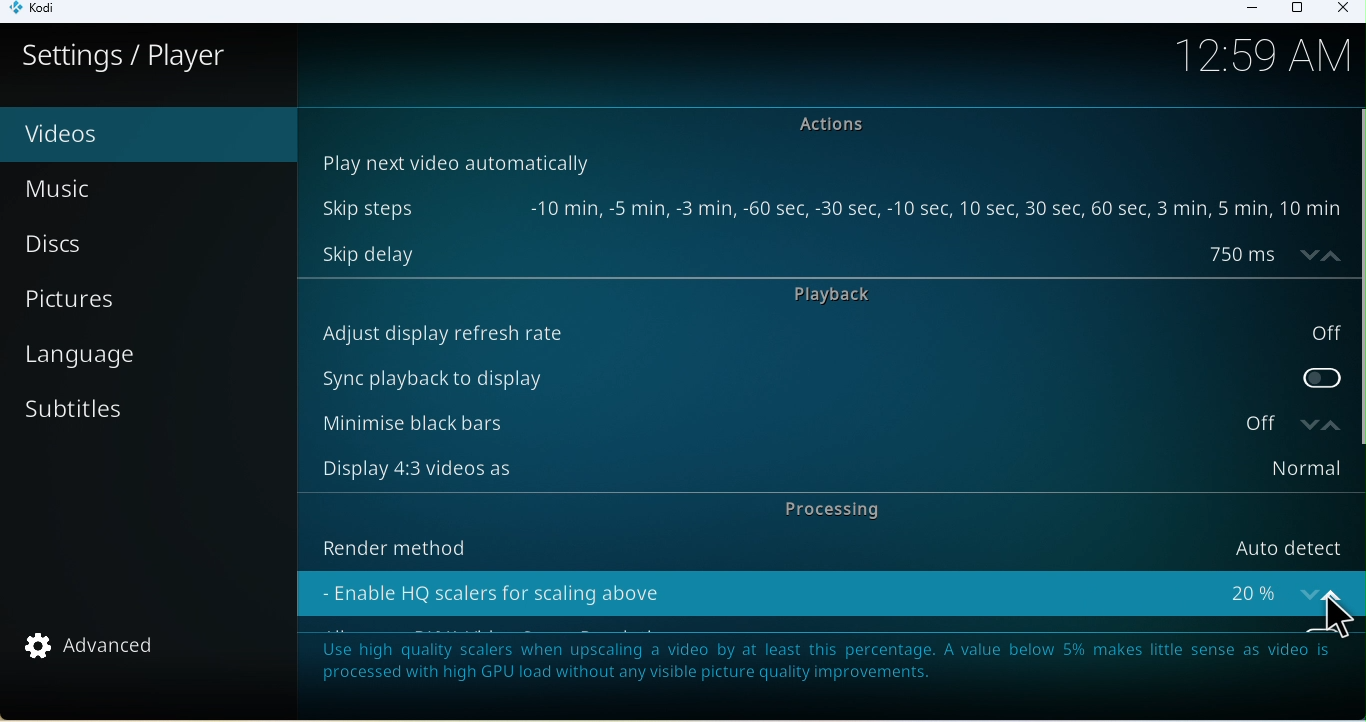  Describe the element at coordinates (826, 510) in the screenshot. I see `Processing` at that location.